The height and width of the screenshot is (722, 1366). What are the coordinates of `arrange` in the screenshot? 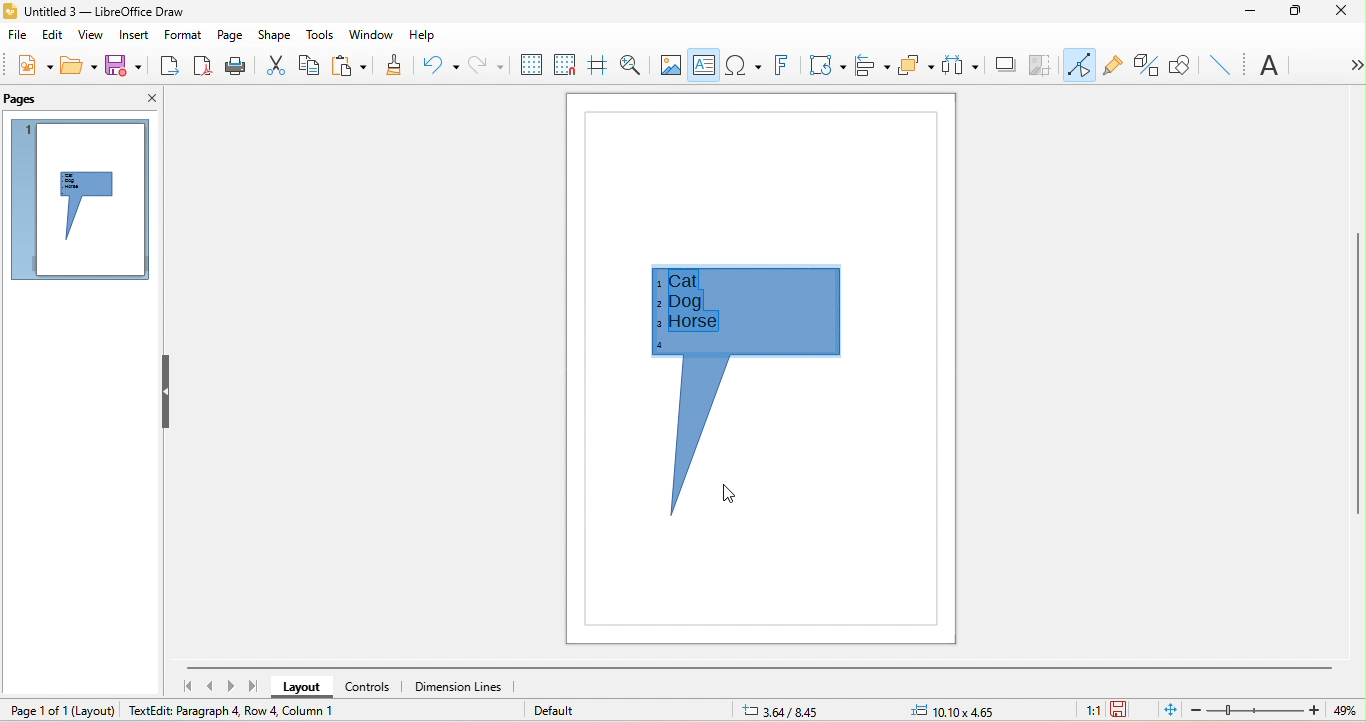 It's located at (917, 66).